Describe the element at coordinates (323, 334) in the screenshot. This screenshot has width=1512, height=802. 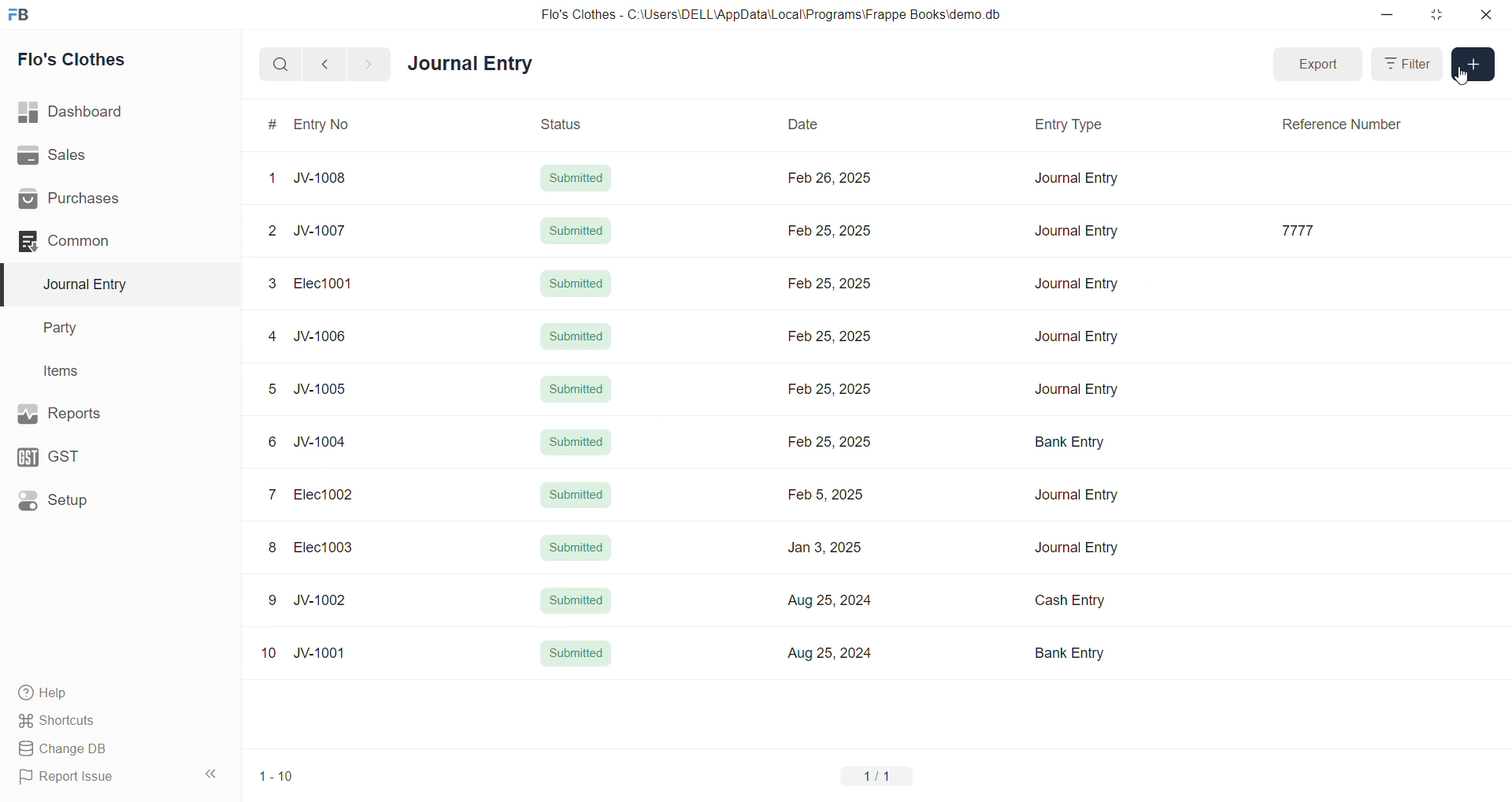
I see `JV-1006` at that location.